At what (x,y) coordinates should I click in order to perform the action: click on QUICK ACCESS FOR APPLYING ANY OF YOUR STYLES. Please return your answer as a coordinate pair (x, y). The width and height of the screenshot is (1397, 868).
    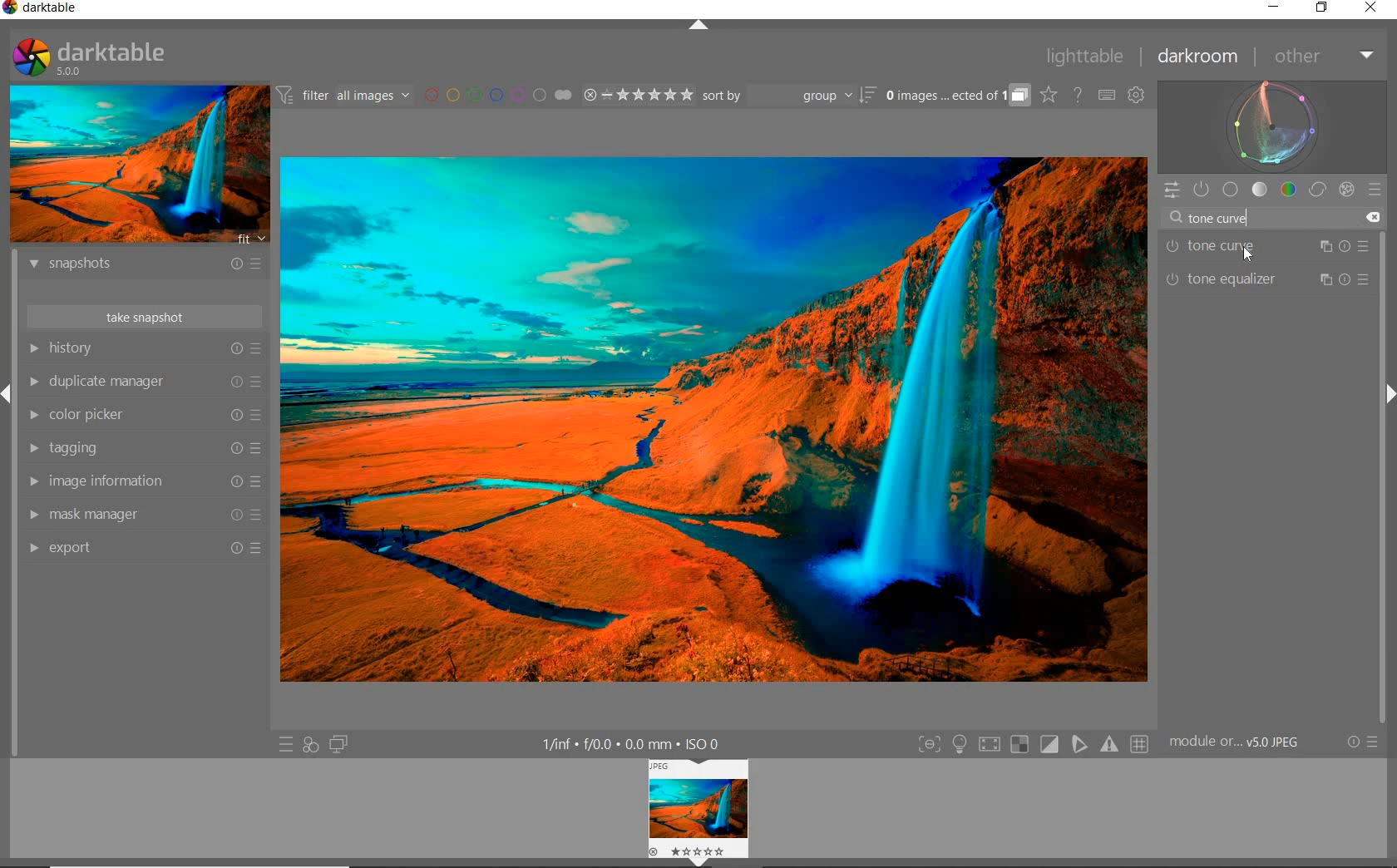
    Looking at the image, I should click on (309, 746).